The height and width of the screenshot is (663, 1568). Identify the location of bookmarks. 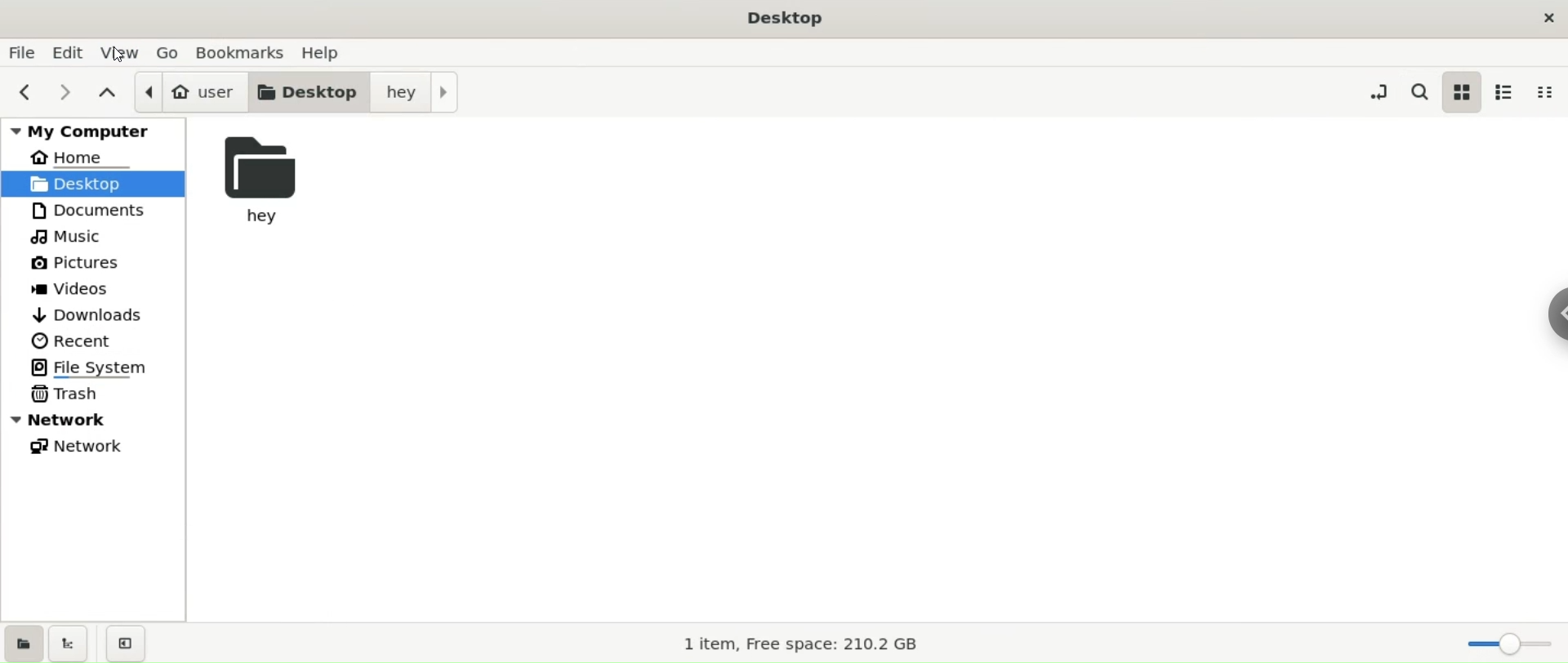
(238, 52).